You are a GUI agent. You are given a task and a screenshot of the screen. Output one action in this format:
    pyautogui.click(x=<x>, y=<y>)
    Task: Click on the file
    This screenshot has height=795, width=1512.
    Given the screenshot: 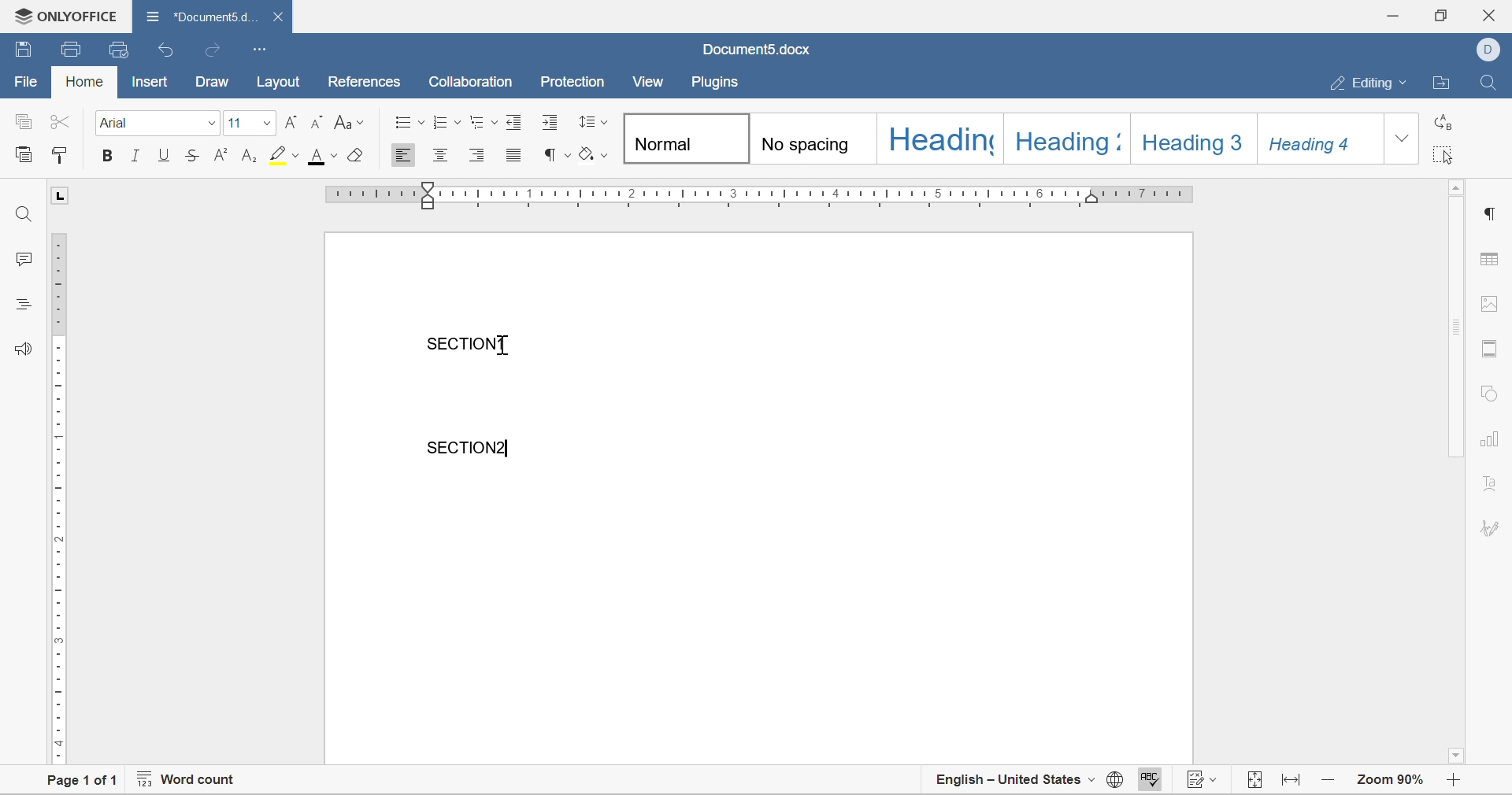 What is the action you would take?
    pyautogui.click(x=24, y=82)
    